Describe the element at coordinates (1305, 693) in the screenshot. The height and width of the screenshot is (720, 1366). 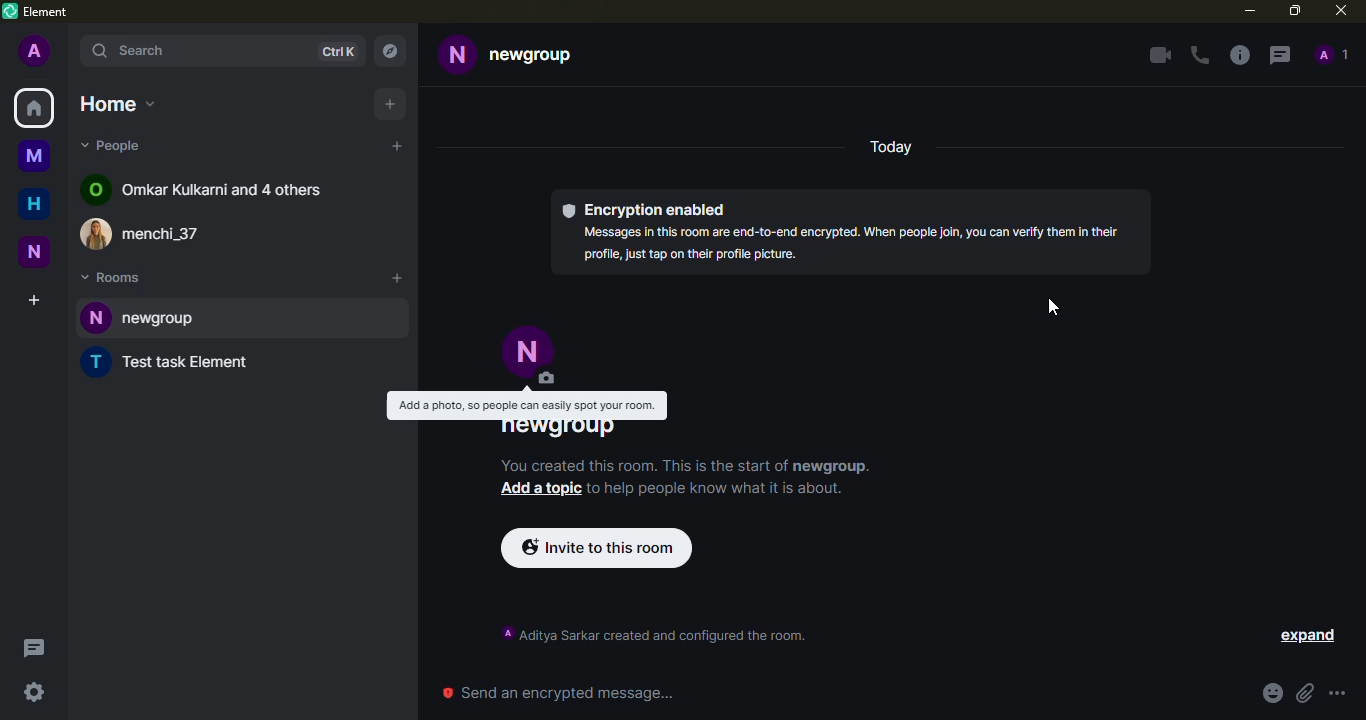
I see `attach file` at that location.